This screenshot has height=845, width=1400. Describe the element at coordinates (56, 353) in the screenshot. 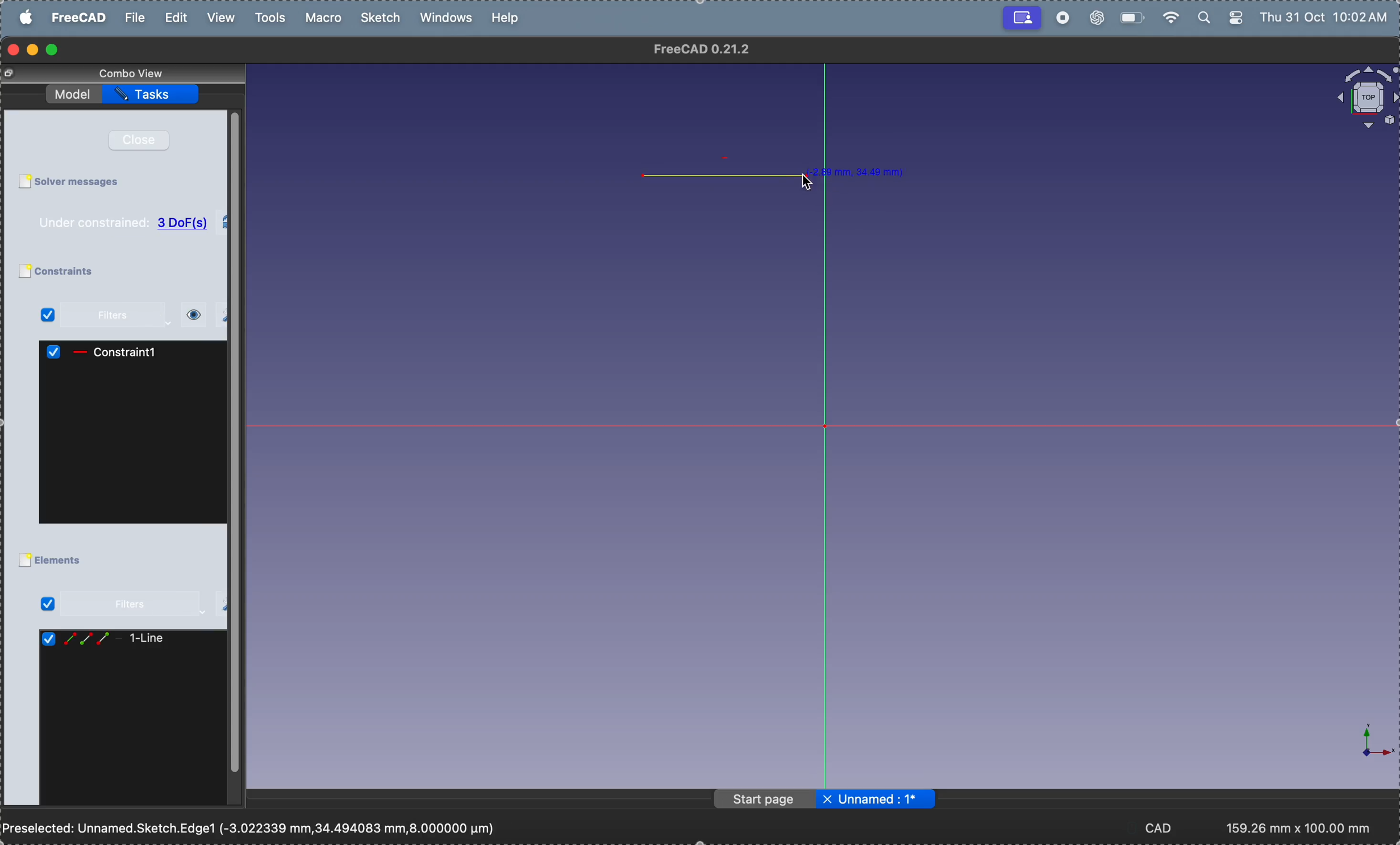

I see `Checked Checkbox` at that location.